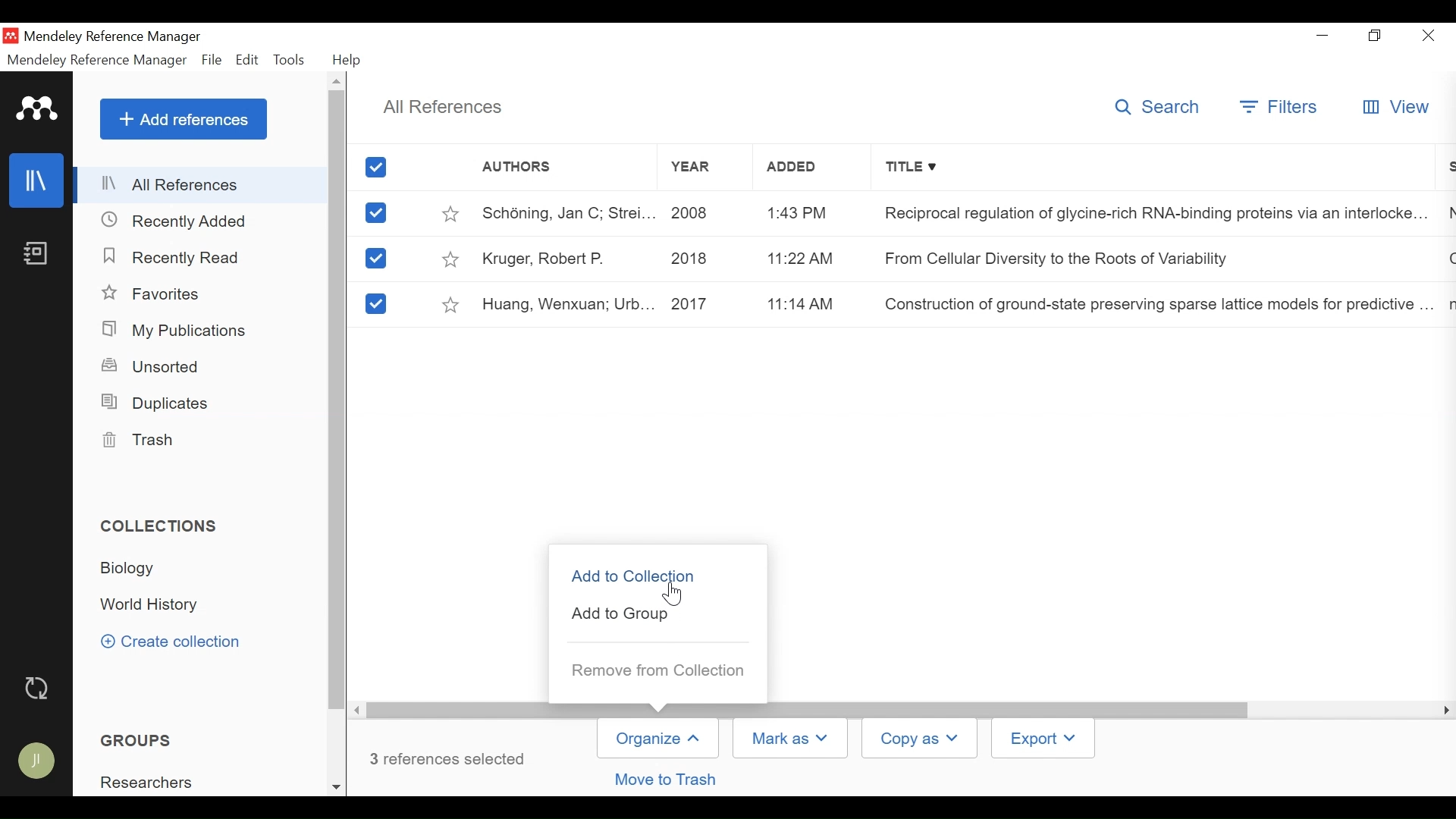  Describe the element at coordinates (95, 60) in the screenshot. I see `Mendeley Reference Manager` at that location.